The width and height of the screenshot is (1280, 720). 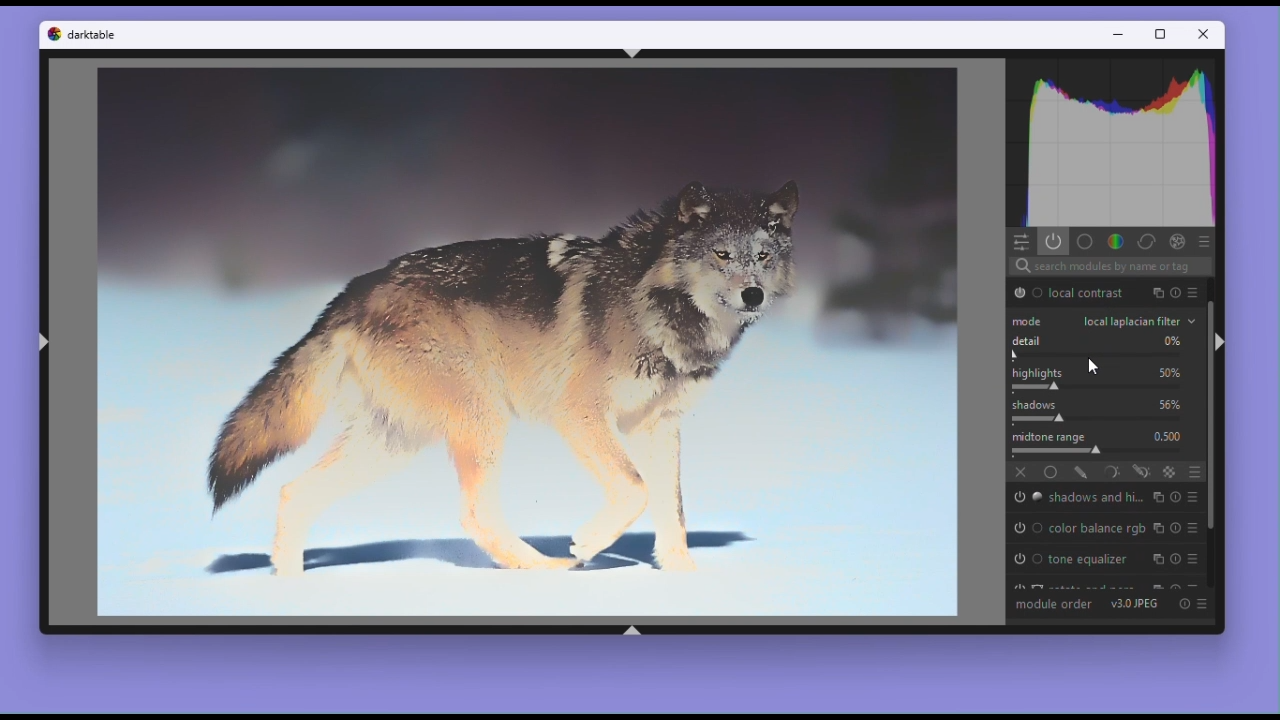 What do you see at coordinates (1180, 292) in the screenshot?
I see `search modules by name or tag` at bounding box center [1180, 292].